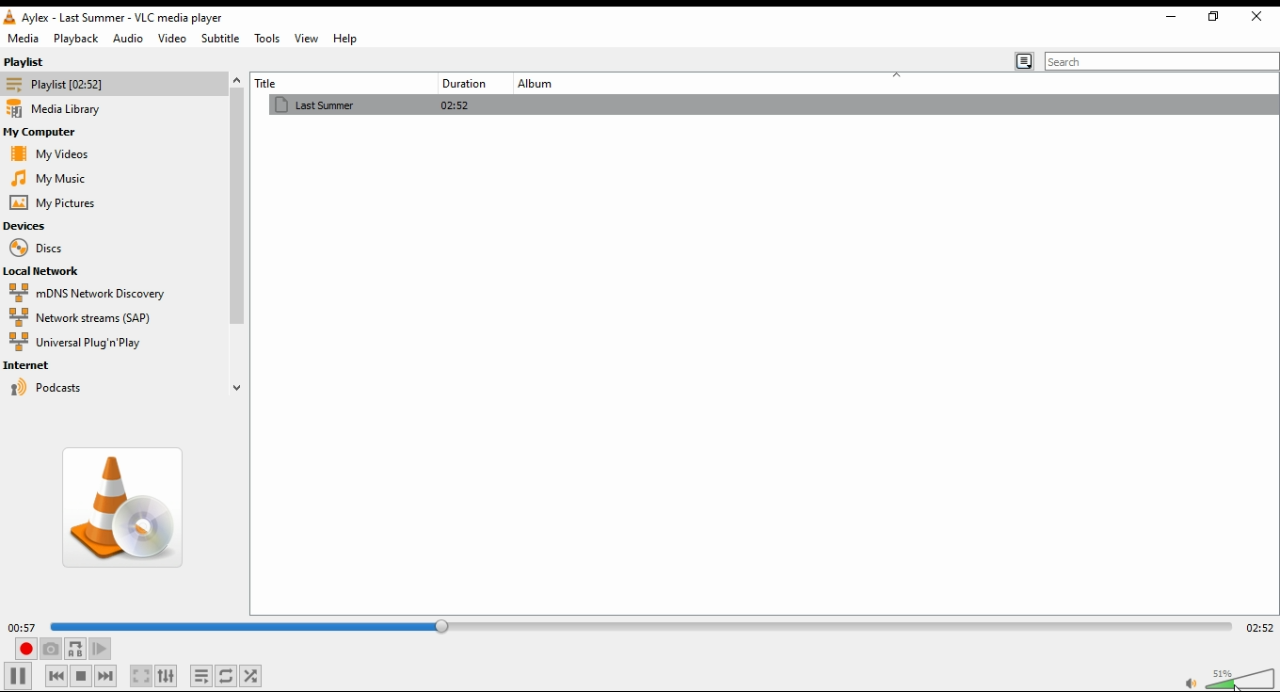  Describe the element at coordinates (127, 18) in the screenshot. I see `file name` at that location.